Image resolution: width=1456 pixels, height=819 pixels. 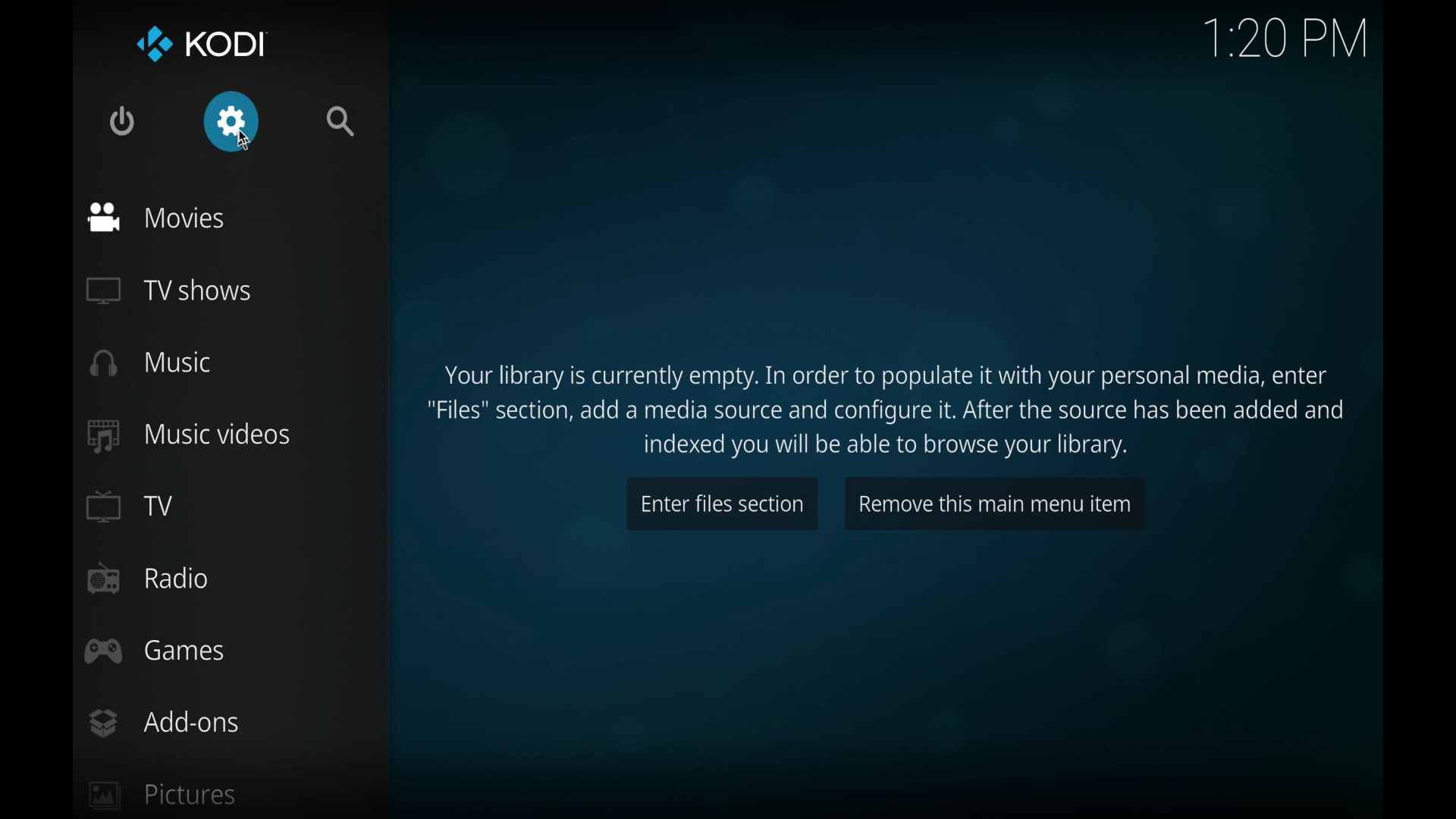 What do you see at coordinates (892, 409) in the screenshot?
I see `Your library is currently empty. In order to populate it with your personal media, enter
"Files" section, add a media source and configure it. After the source has been added and
indexed you will be able to browse your library.` at bounding box center [892, 409].